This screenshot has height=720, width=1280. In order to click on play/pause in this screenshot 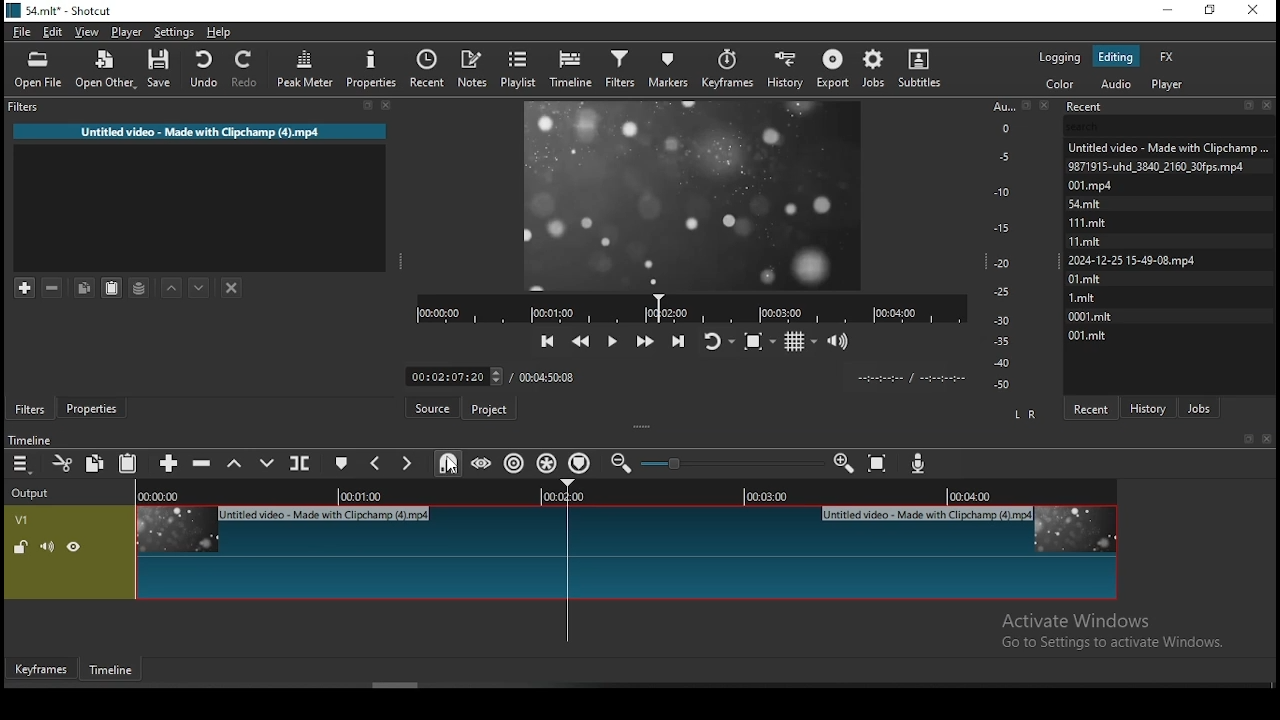, I will do `click(611, 336)`.